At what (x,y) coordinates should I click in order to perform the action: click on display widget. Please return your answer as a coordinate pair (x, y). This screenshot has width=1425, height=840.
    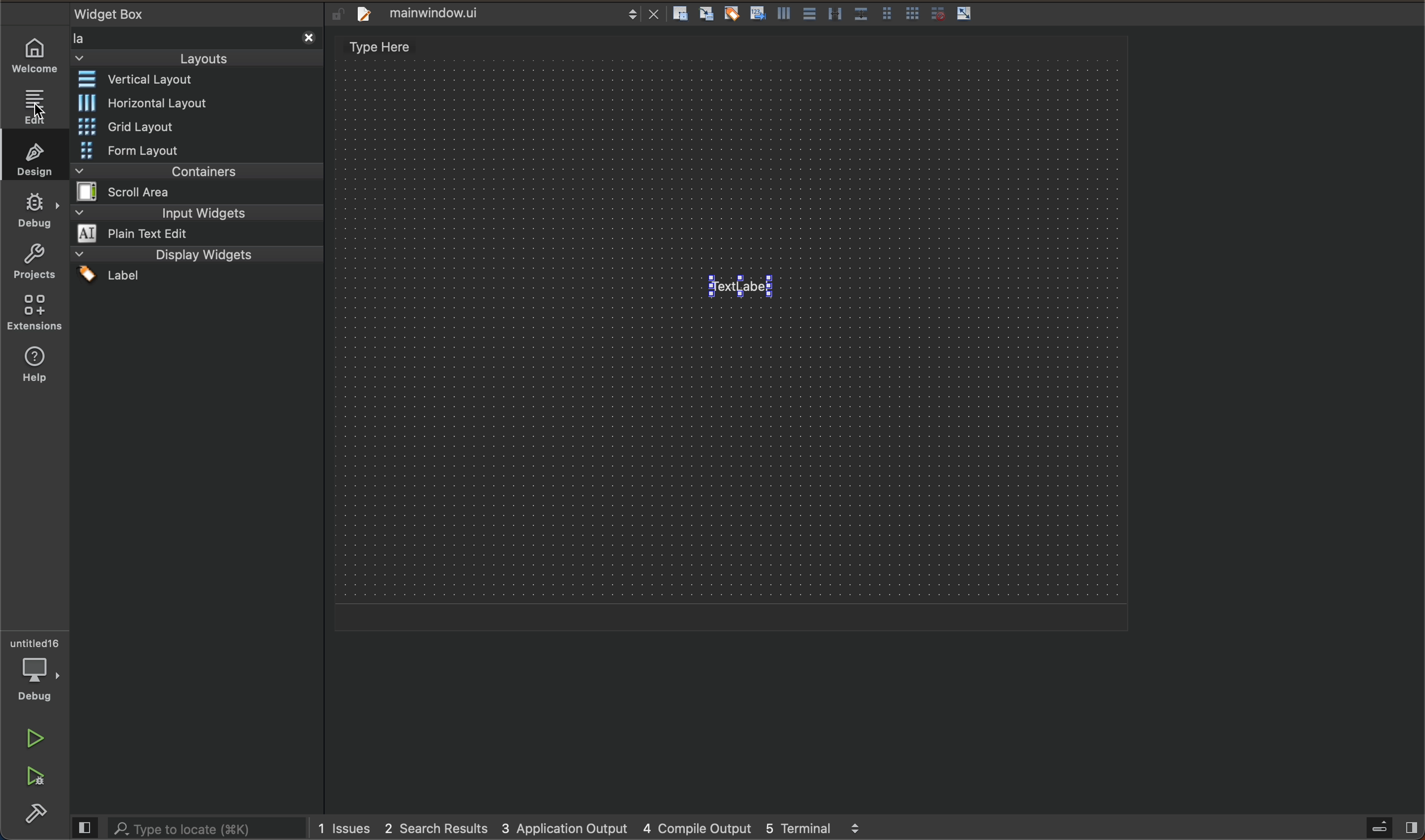
    Looking at the image, I should click on (196, 254).